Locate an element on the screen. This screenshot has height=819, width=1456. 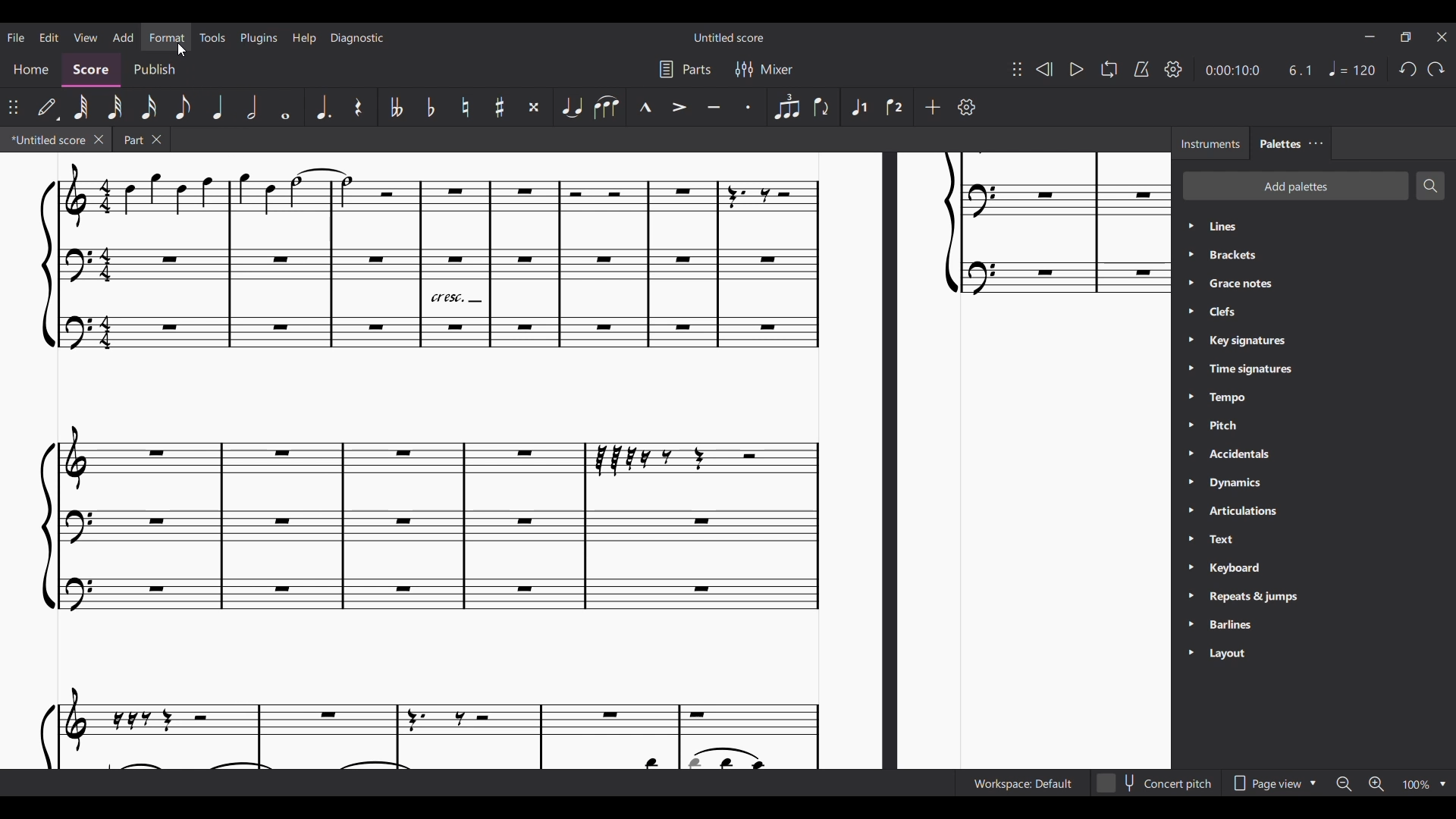
Current workspace setting is located at coordinates (1022, 783).